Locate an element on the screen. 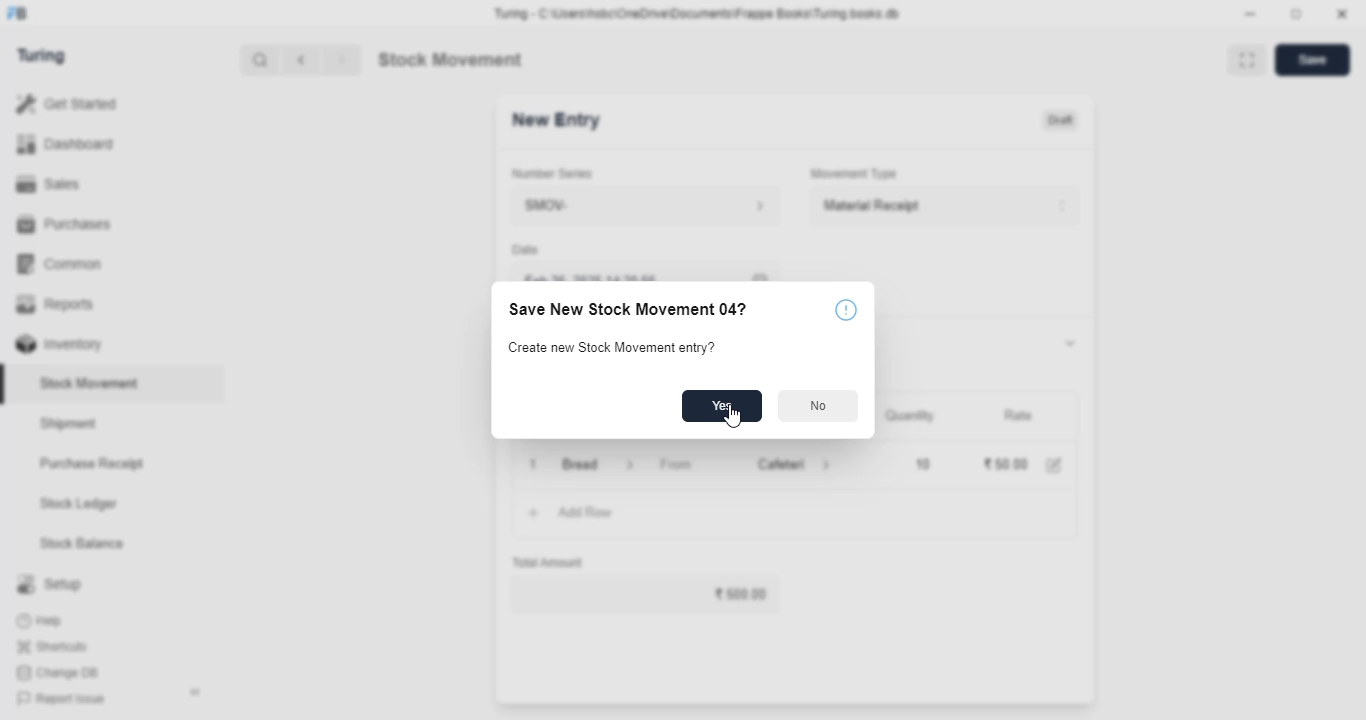 The width and height of the screenshot is (1366, 720). get started is located at coordinates (68, 104).